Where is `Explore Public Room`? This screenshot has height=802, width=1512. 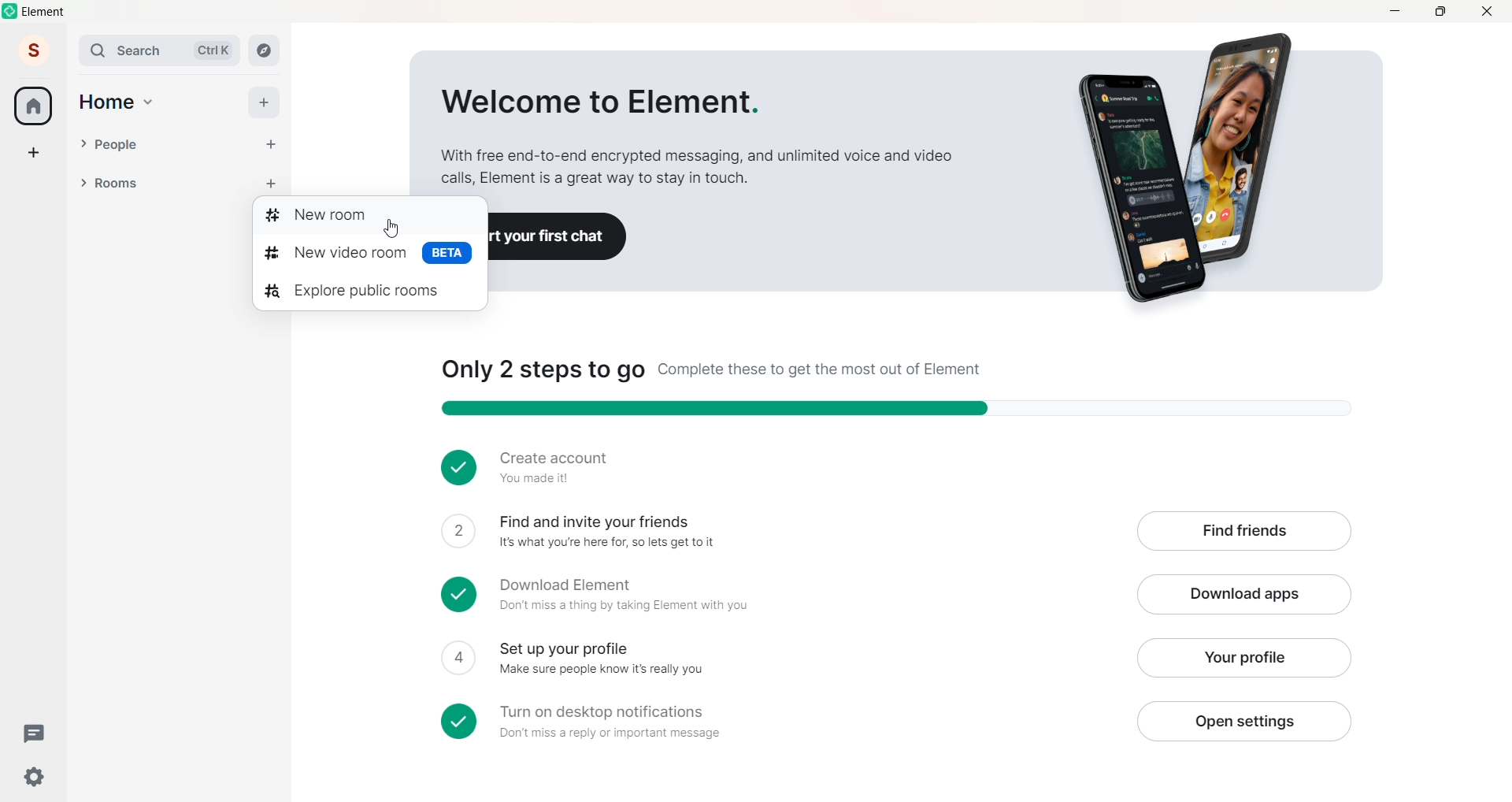 Explore Public Room is located at coordinates (365, 291).